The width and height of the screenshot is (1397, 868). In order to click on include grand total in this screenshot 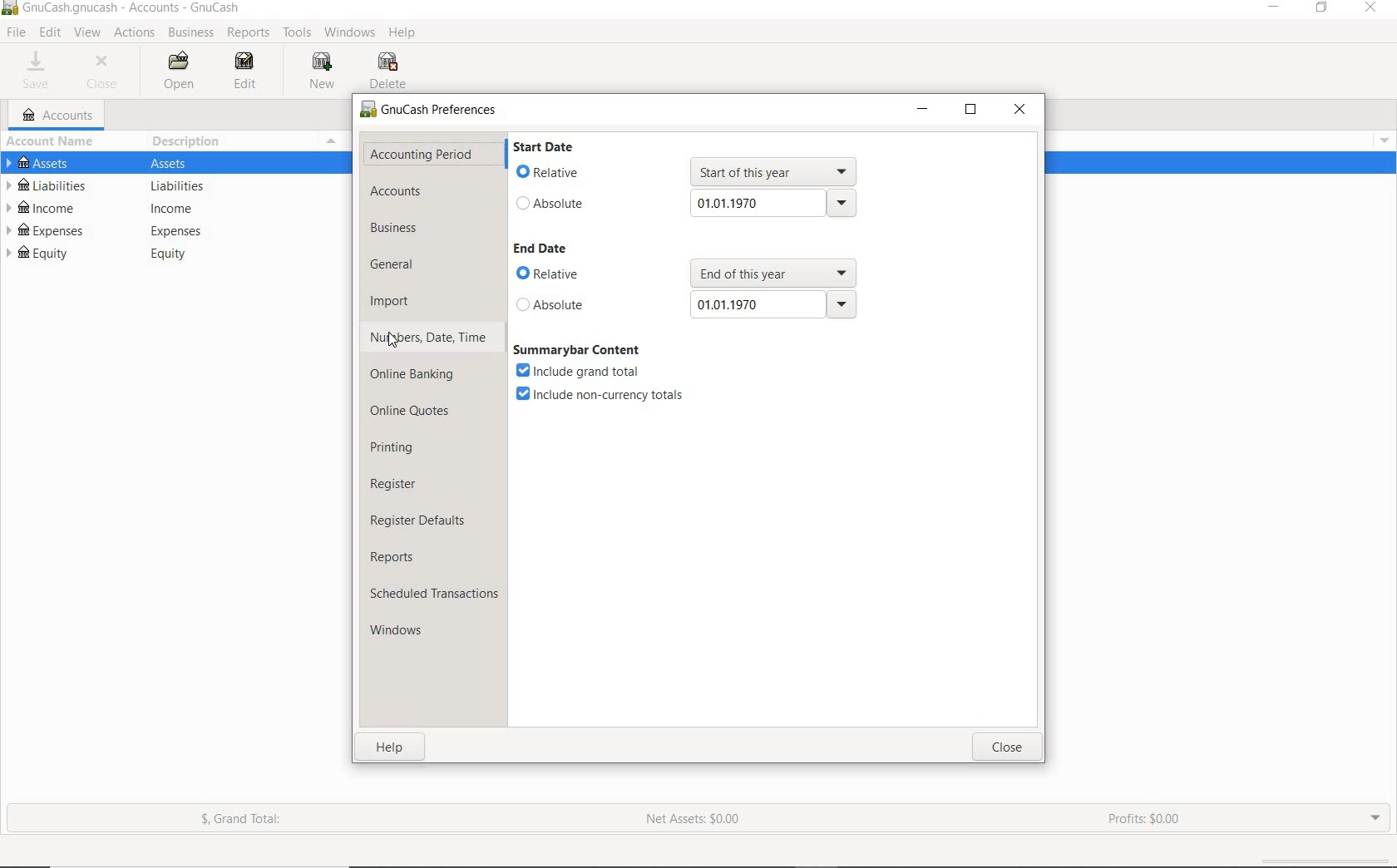, I will do `click(584, 372)`.